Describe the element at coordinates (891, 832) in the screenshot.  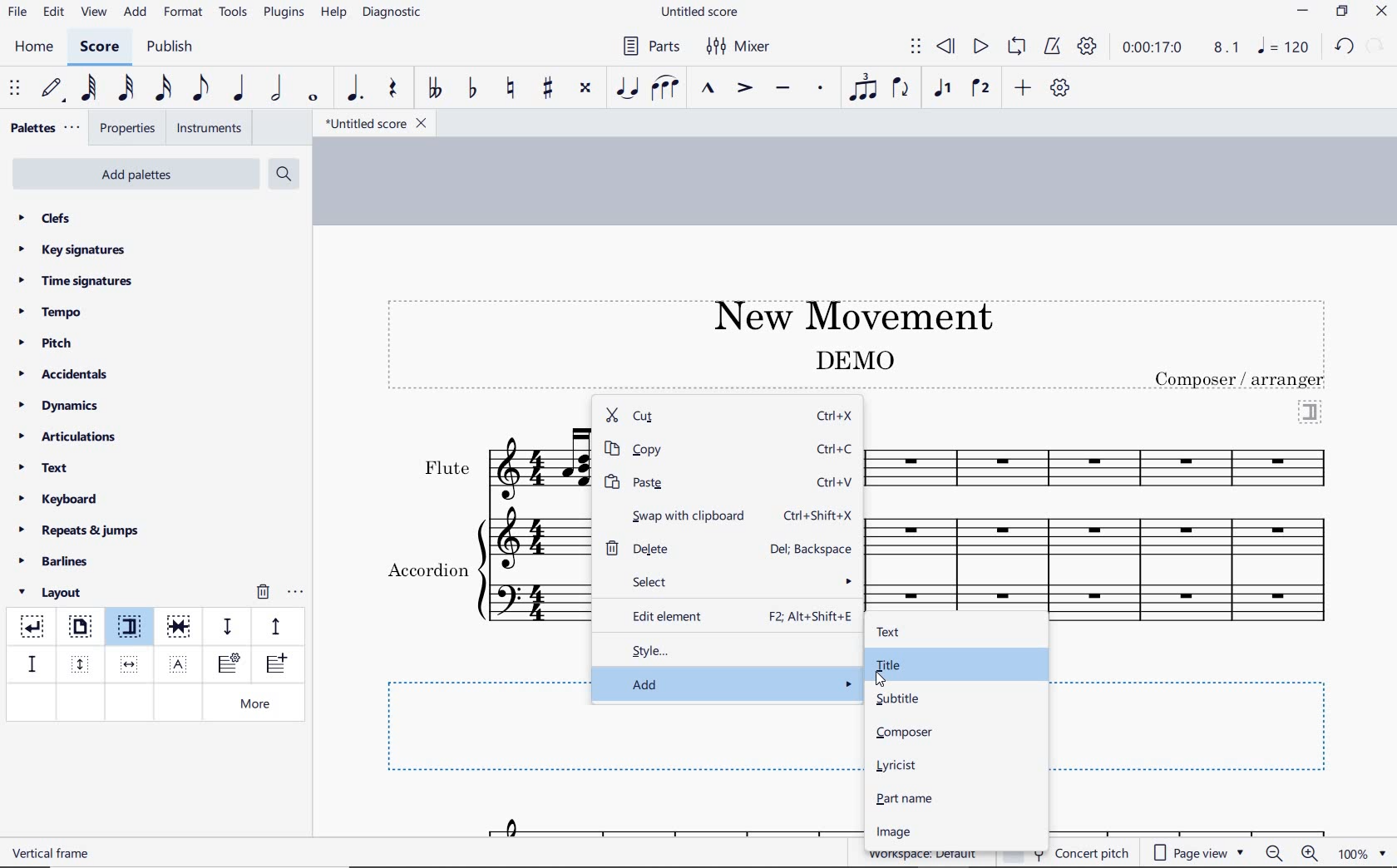
I see `image` at that location.